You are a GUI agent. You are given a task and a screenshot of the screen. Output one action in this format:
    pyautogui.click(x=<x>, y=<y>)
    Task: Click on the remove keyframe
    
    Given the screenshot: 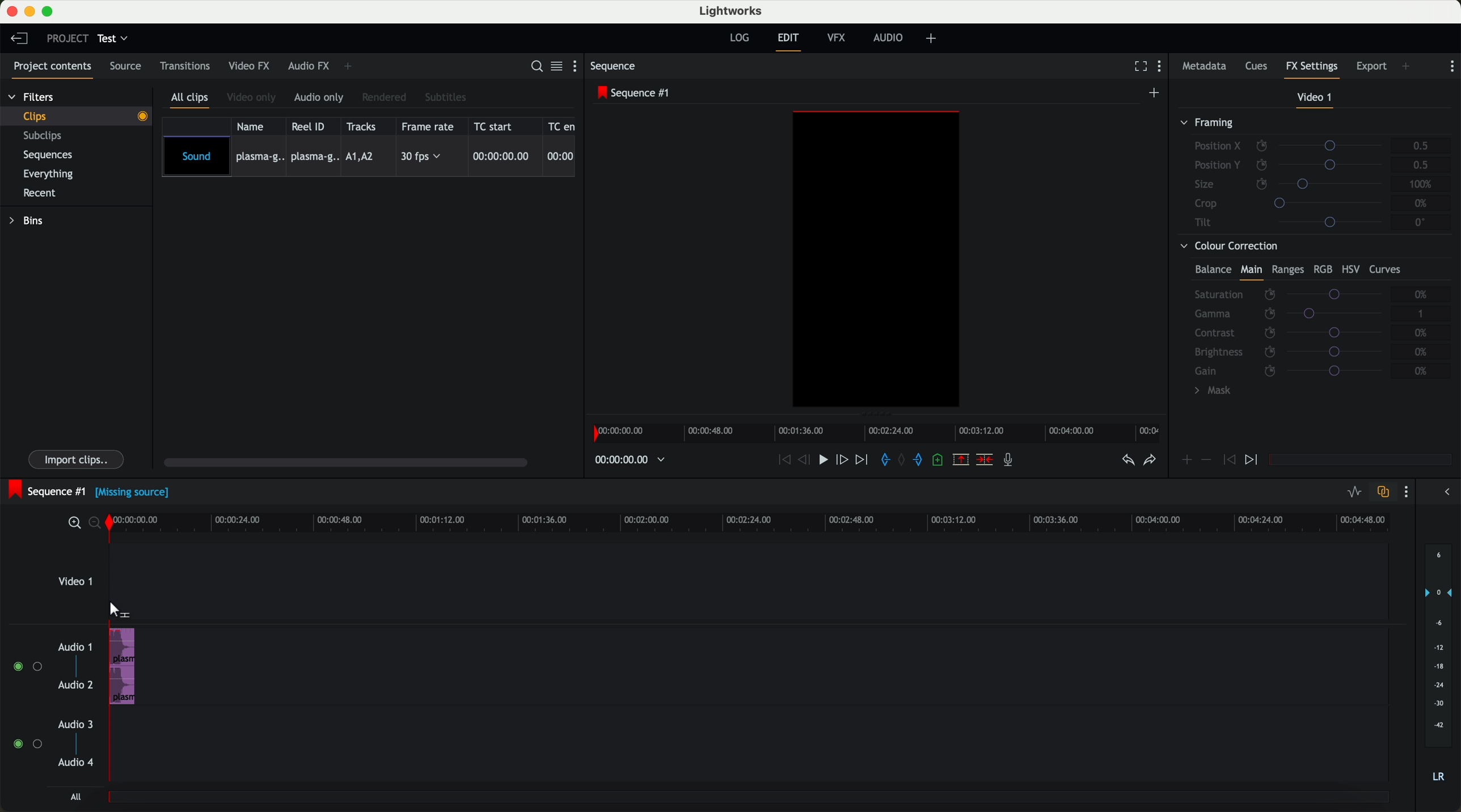 What is the action you would take?
    pyautogui.click(x=1207, y=460)
    